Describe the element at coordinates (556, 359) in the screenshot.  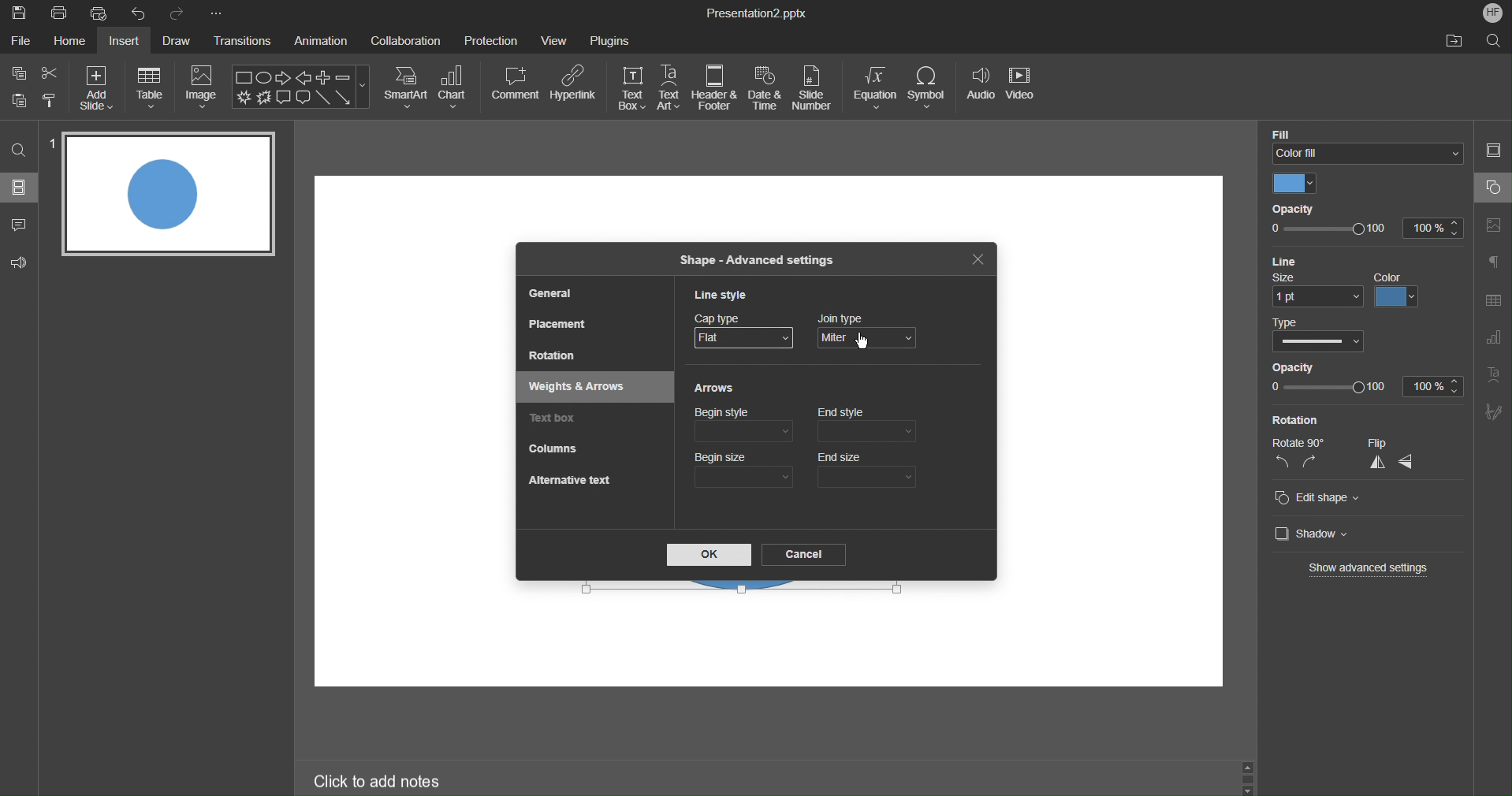
I see `Rotation` at that location.